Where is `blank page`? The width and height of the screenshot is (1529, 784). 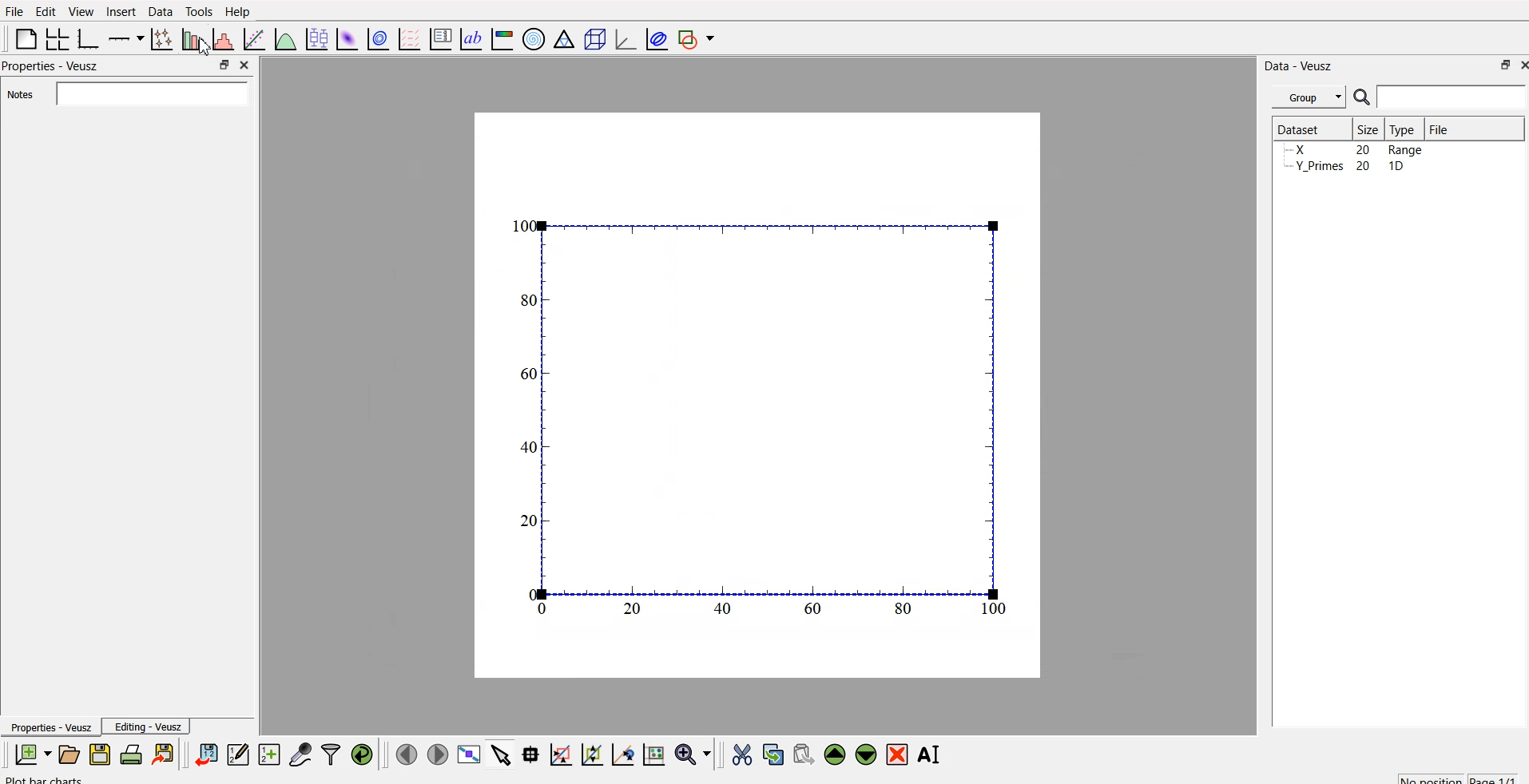 blank page is located at coordinates (22, 38).